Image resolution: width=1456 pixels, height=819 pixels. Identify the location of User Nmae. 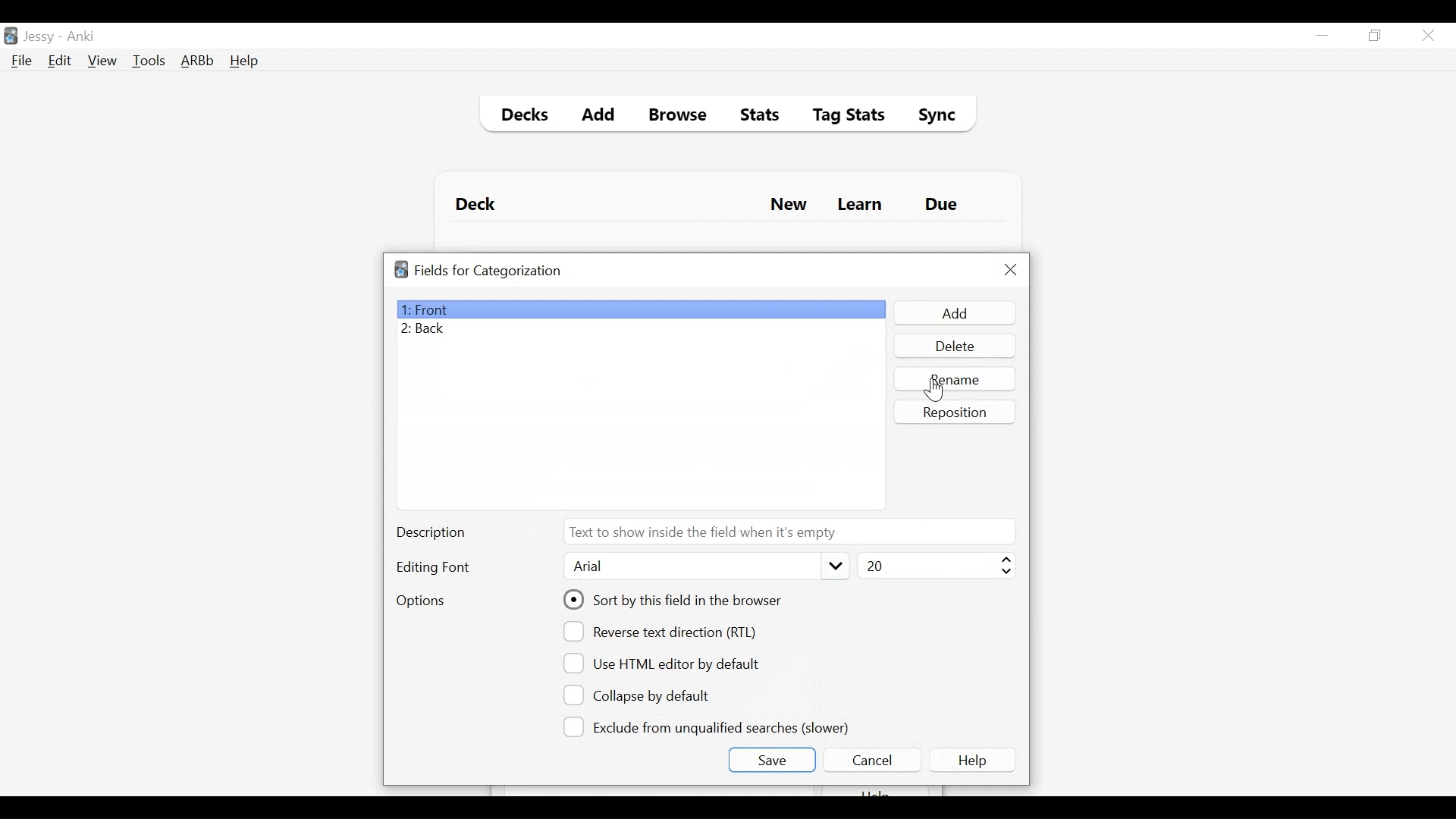
(42, 37).